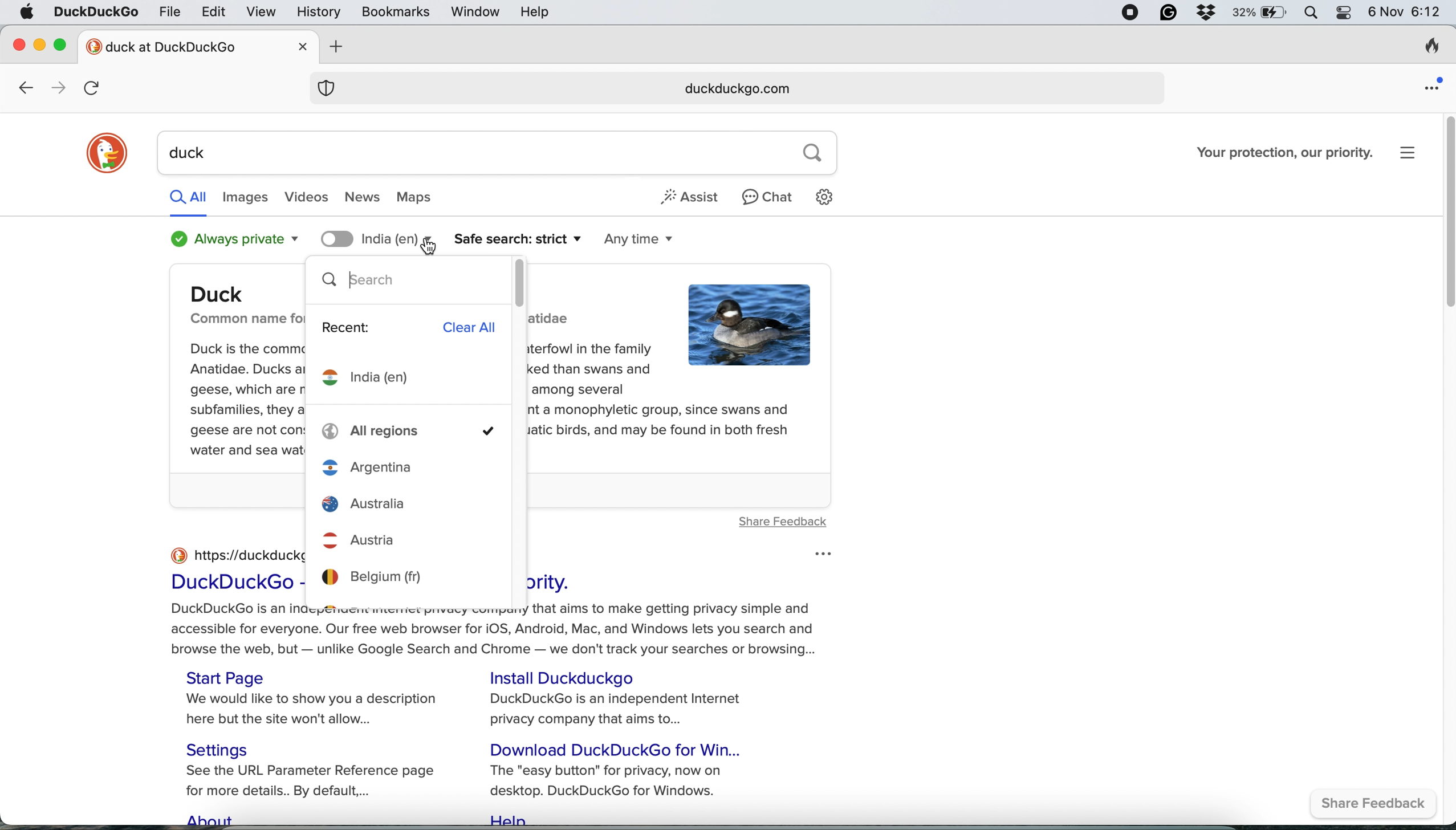  Describe the element at coordinates (1285, 152) in the screenshot. I see `Your protection, our priority.` at that location.